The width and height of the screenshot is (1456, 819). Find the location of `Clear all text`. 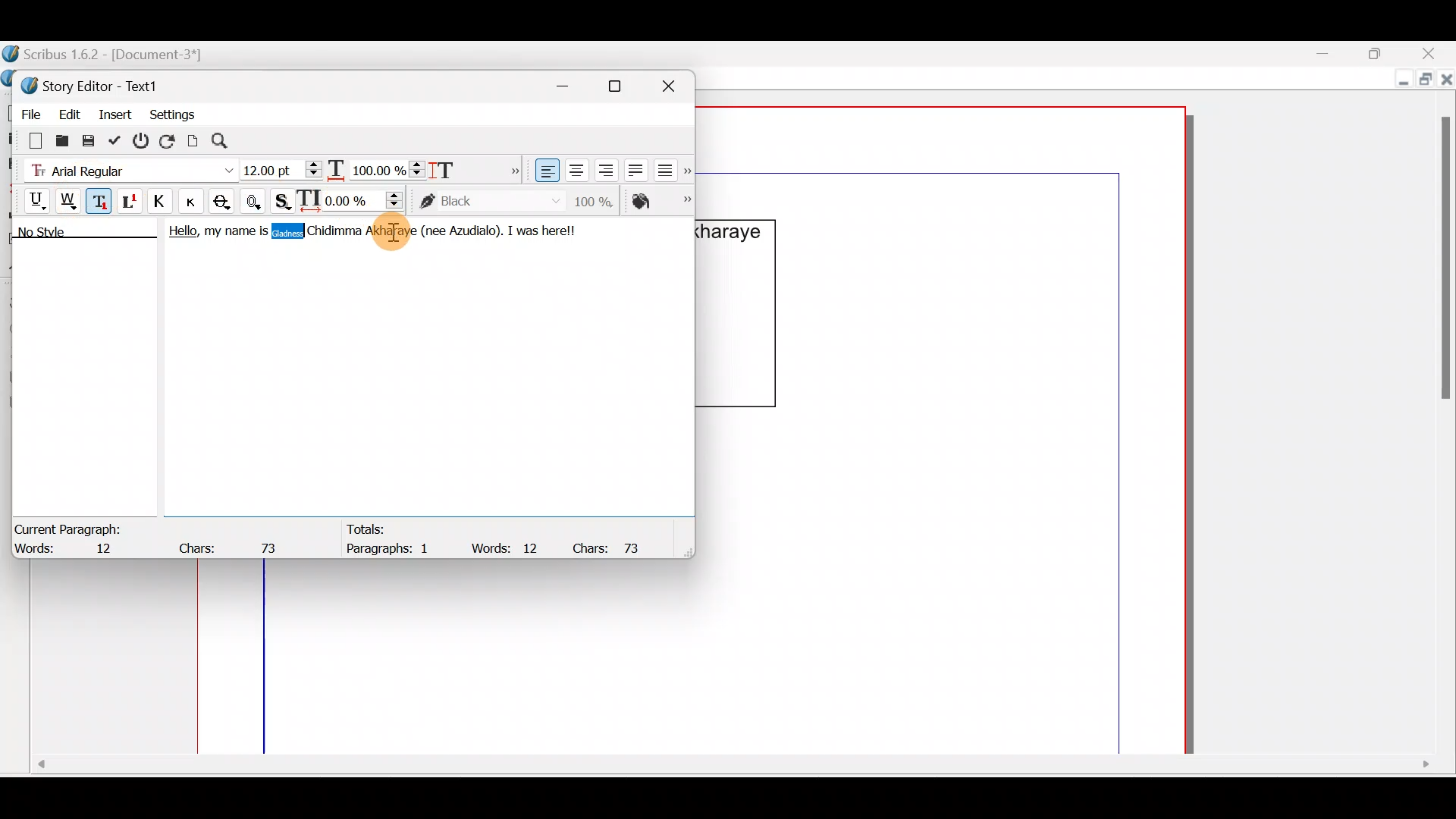

Clear all text is located at coordinates (28, 140).